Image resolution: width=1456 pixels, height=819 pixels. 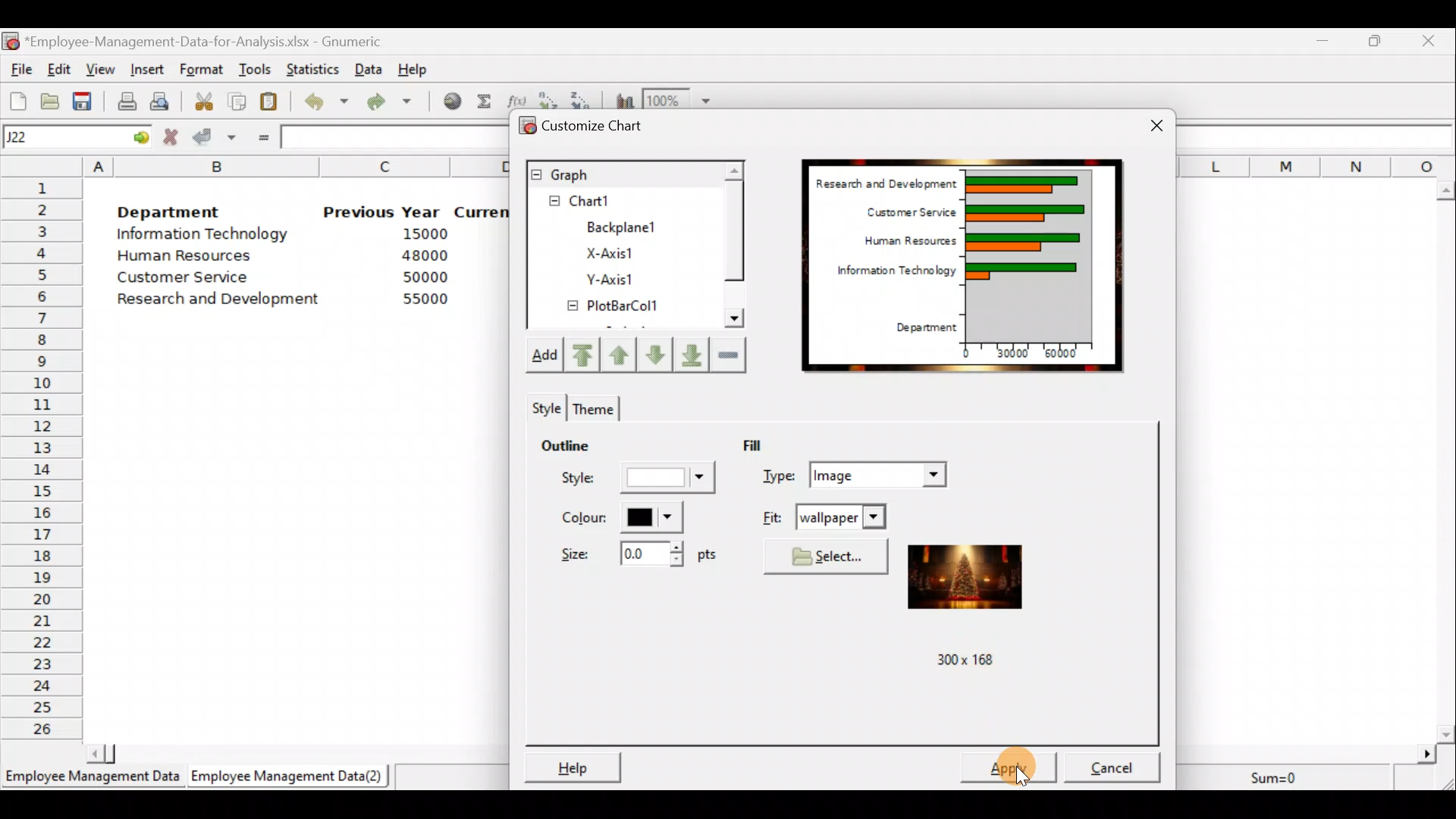 I want to click on 0, so click(x=965, y=351).